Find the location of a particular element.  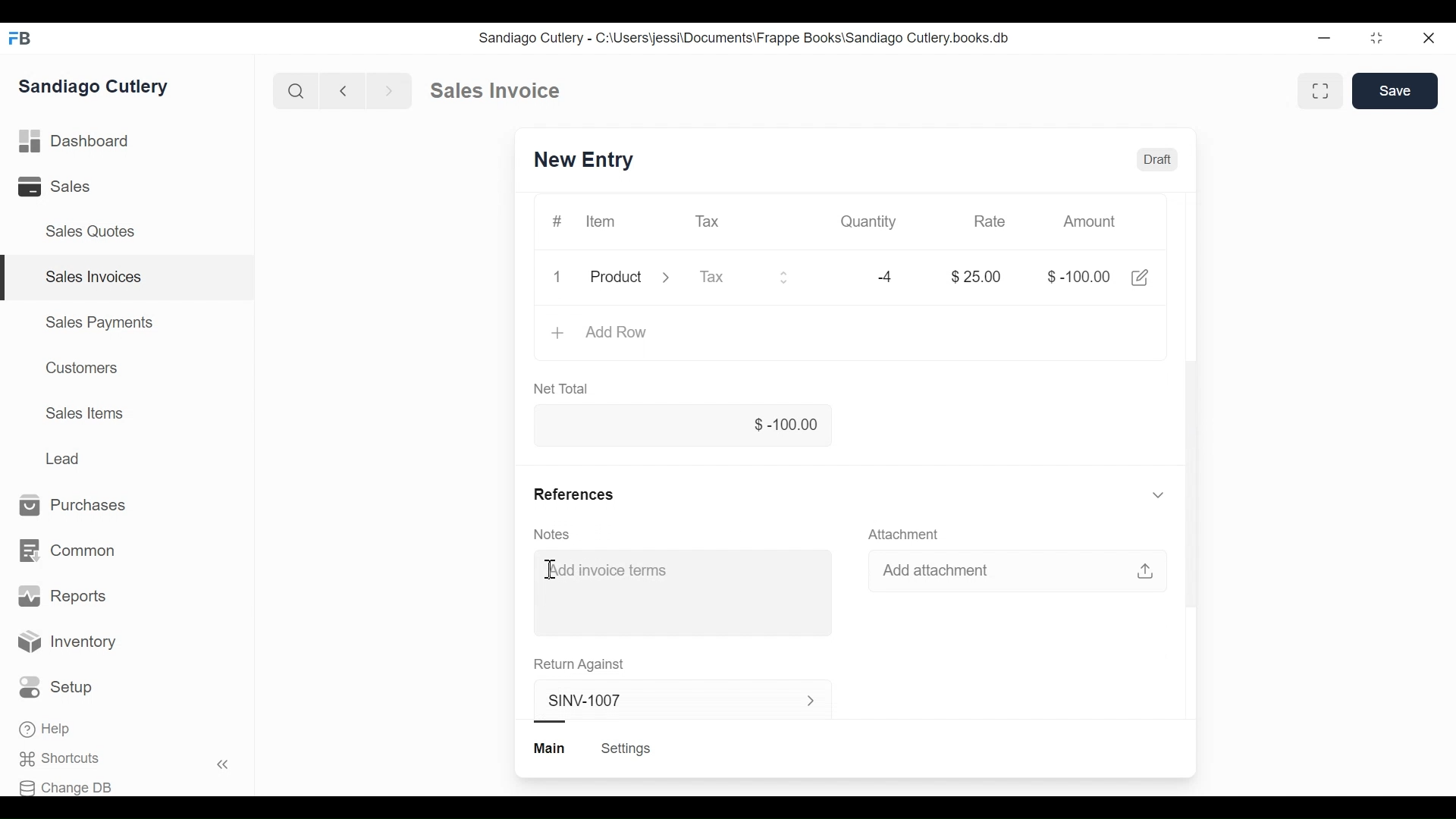

Hide sidebar is located at coordinates (224, 764).